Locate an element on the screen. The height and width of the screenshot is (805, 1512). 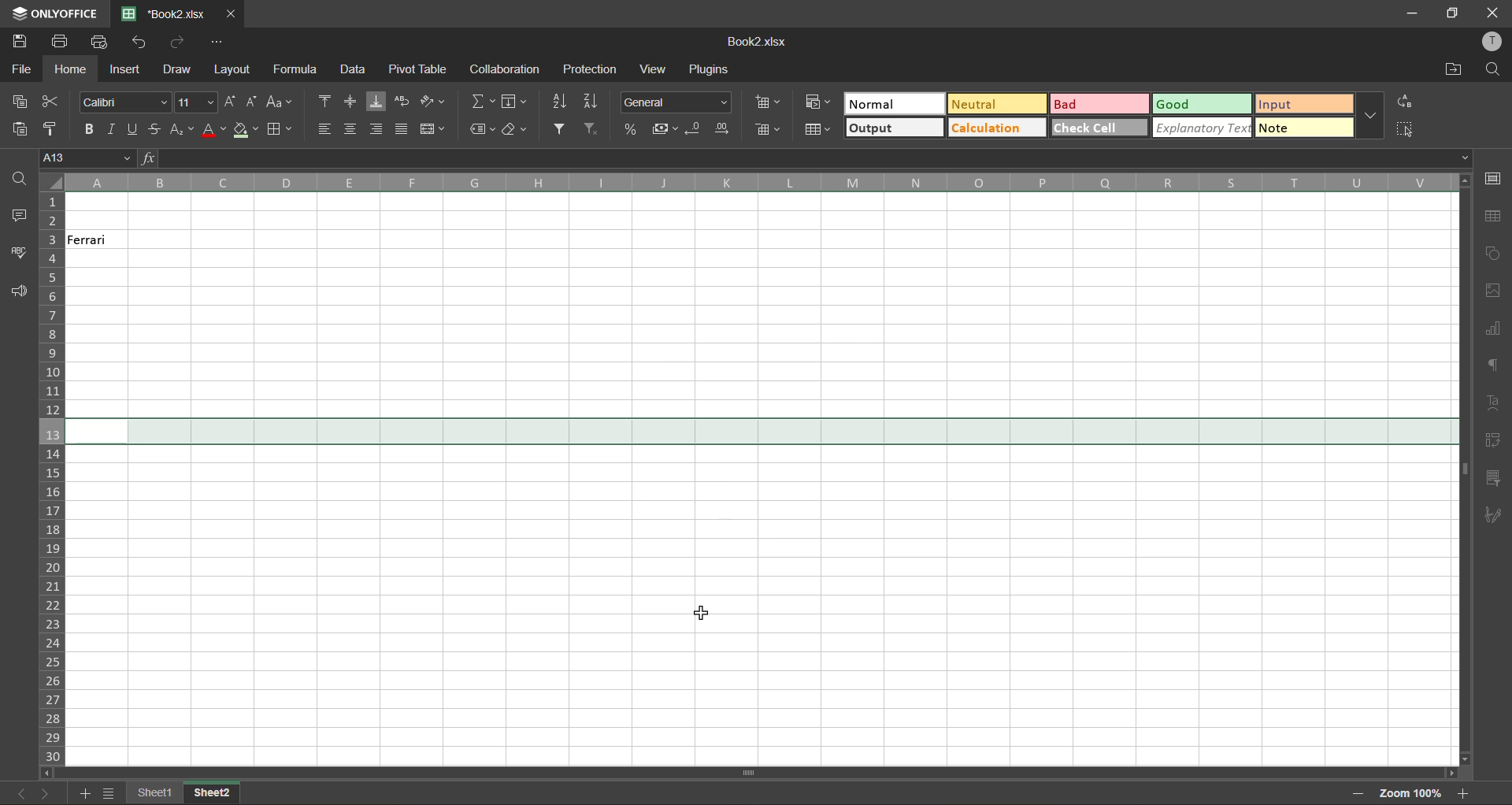
pivot table is located at coordinates (417, 69).